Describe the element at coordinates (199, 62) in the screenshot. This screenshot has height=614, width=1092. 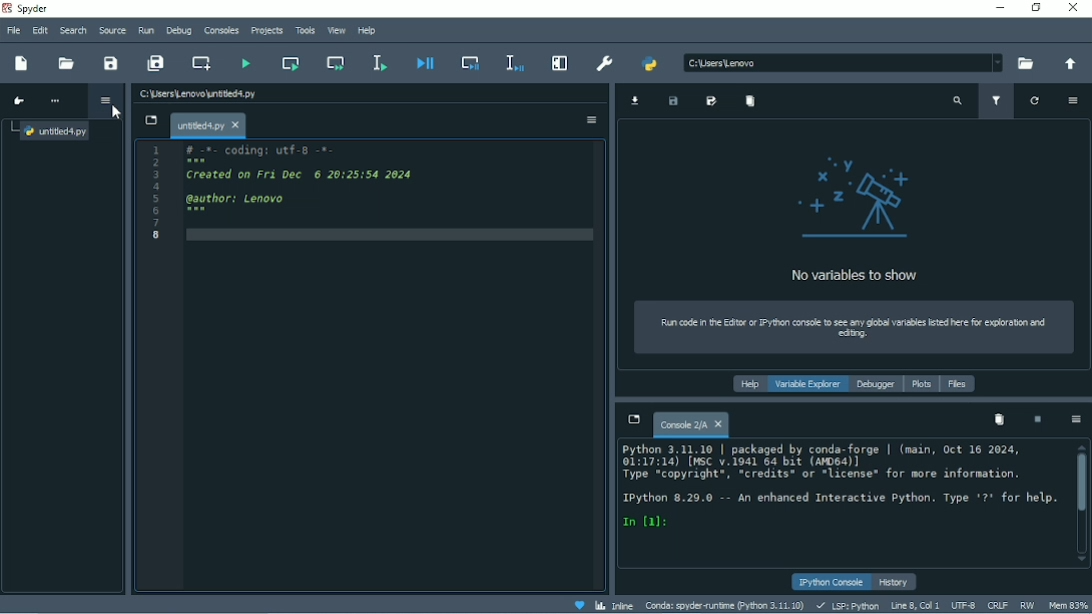
I see `Create new cell at the current line` at that location.